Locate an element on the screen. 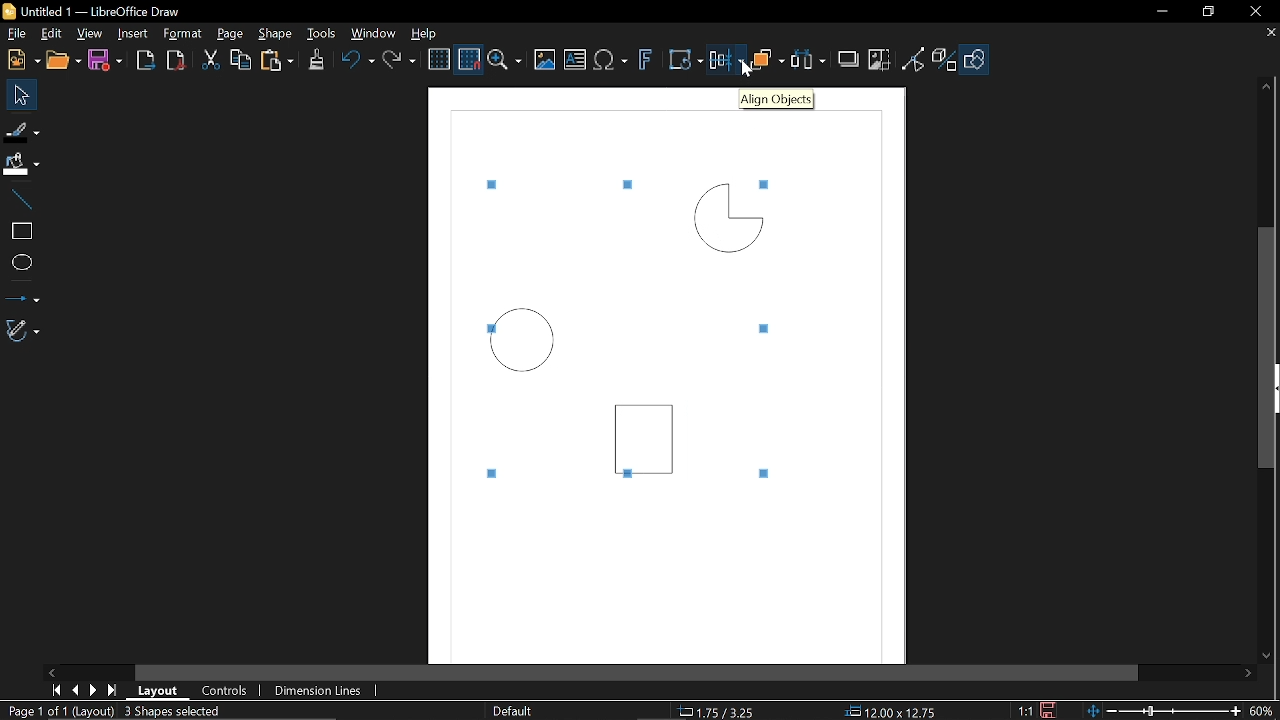 The image size is (1280, 720). Shadow is located at coordinates (848, 61).